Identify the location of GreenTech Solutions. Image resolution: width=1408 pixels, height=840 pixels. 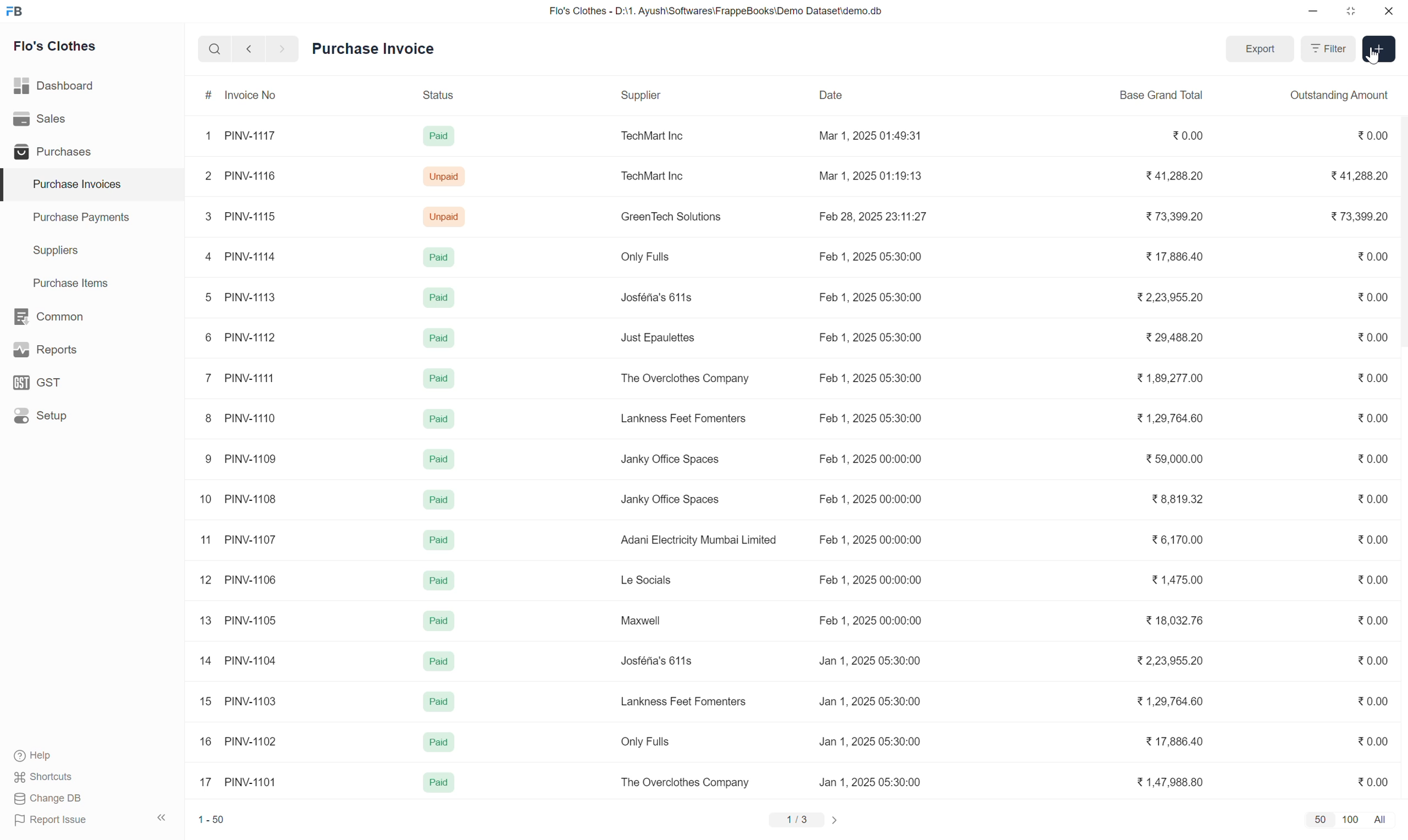
(671, 216).